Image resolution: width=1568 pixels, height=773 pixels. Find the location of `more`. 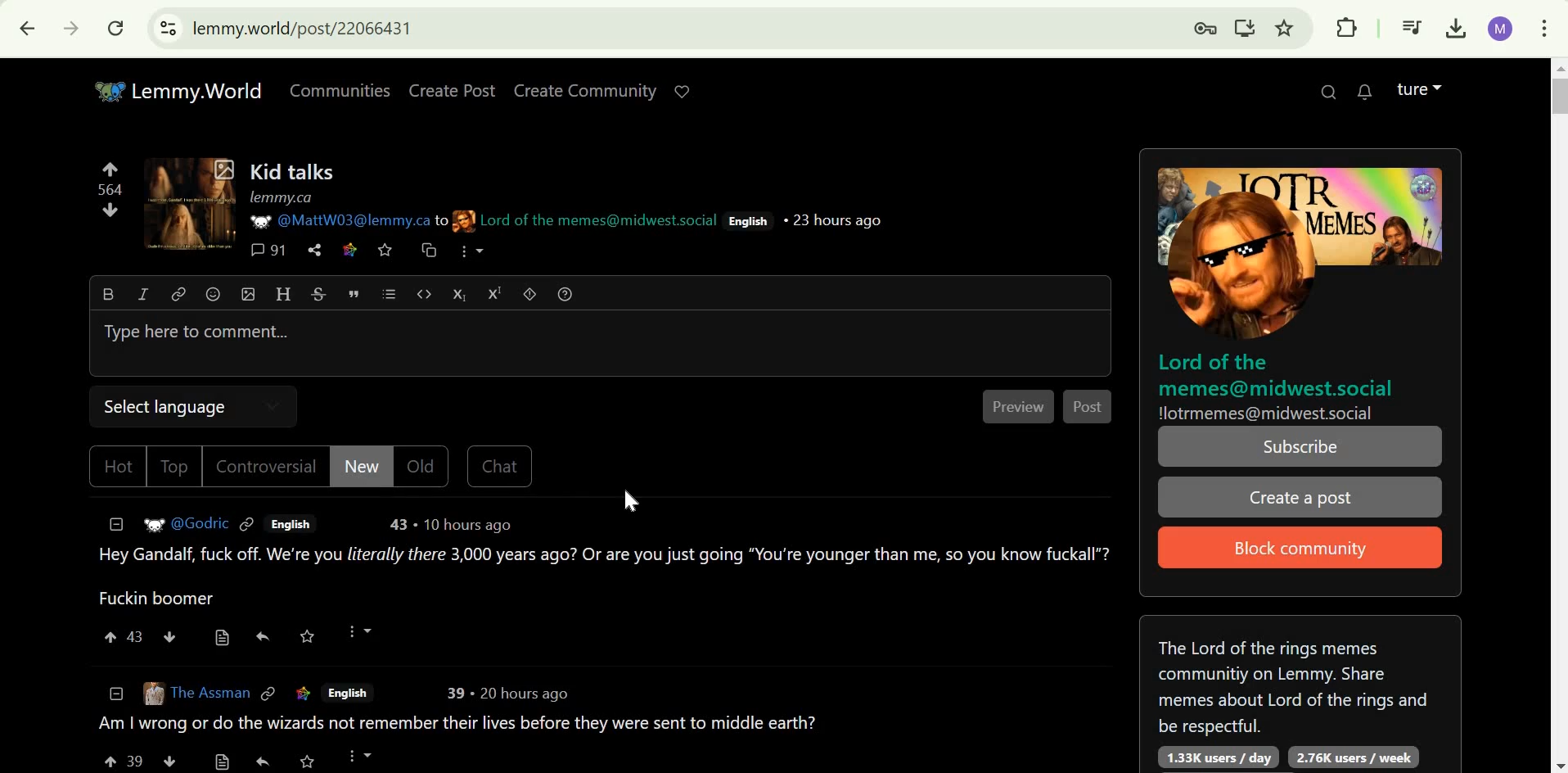

more is located at coordinates (359, 631).